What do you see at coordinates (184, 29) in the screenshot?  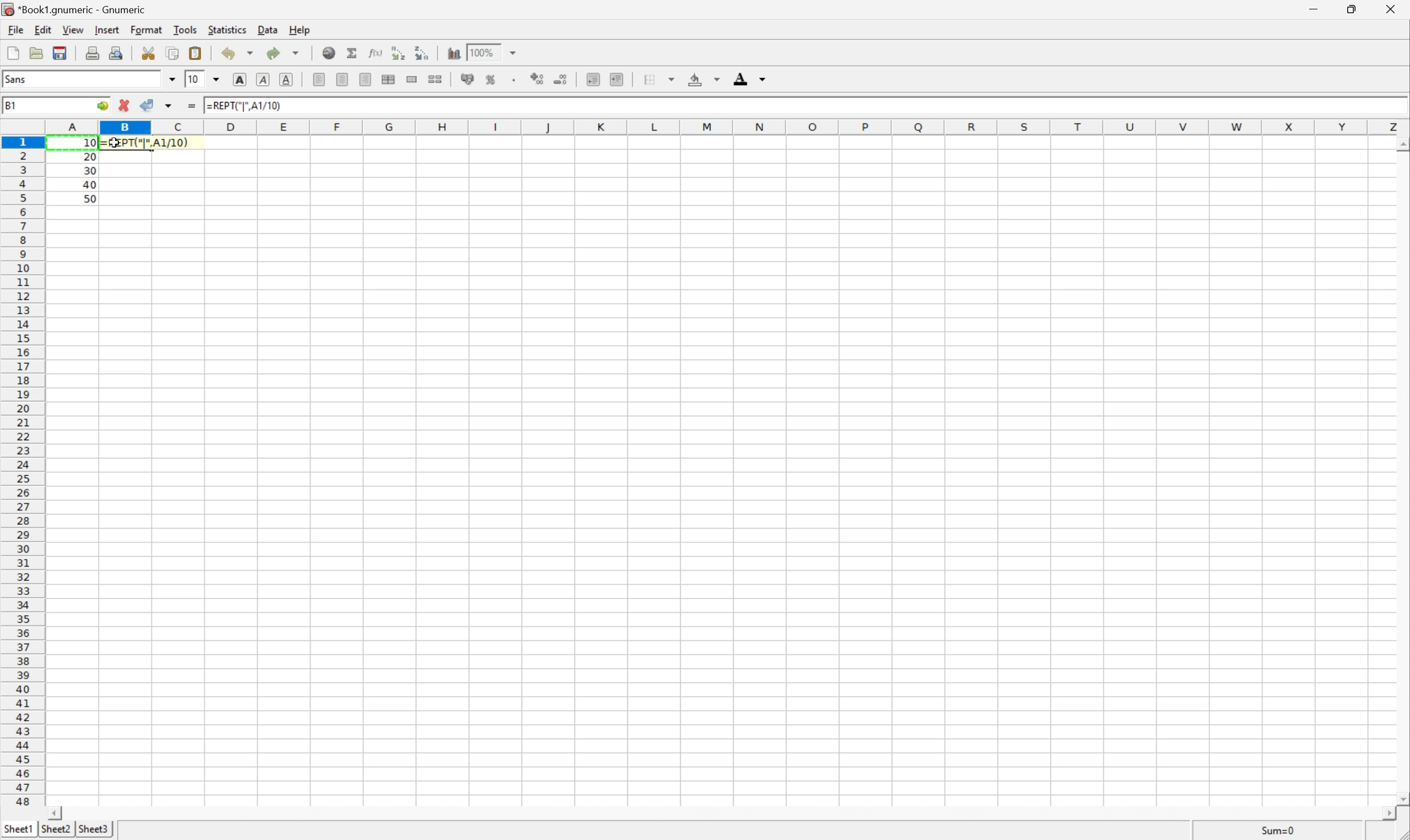 I see `Tools` at bounding box center [184, 29].